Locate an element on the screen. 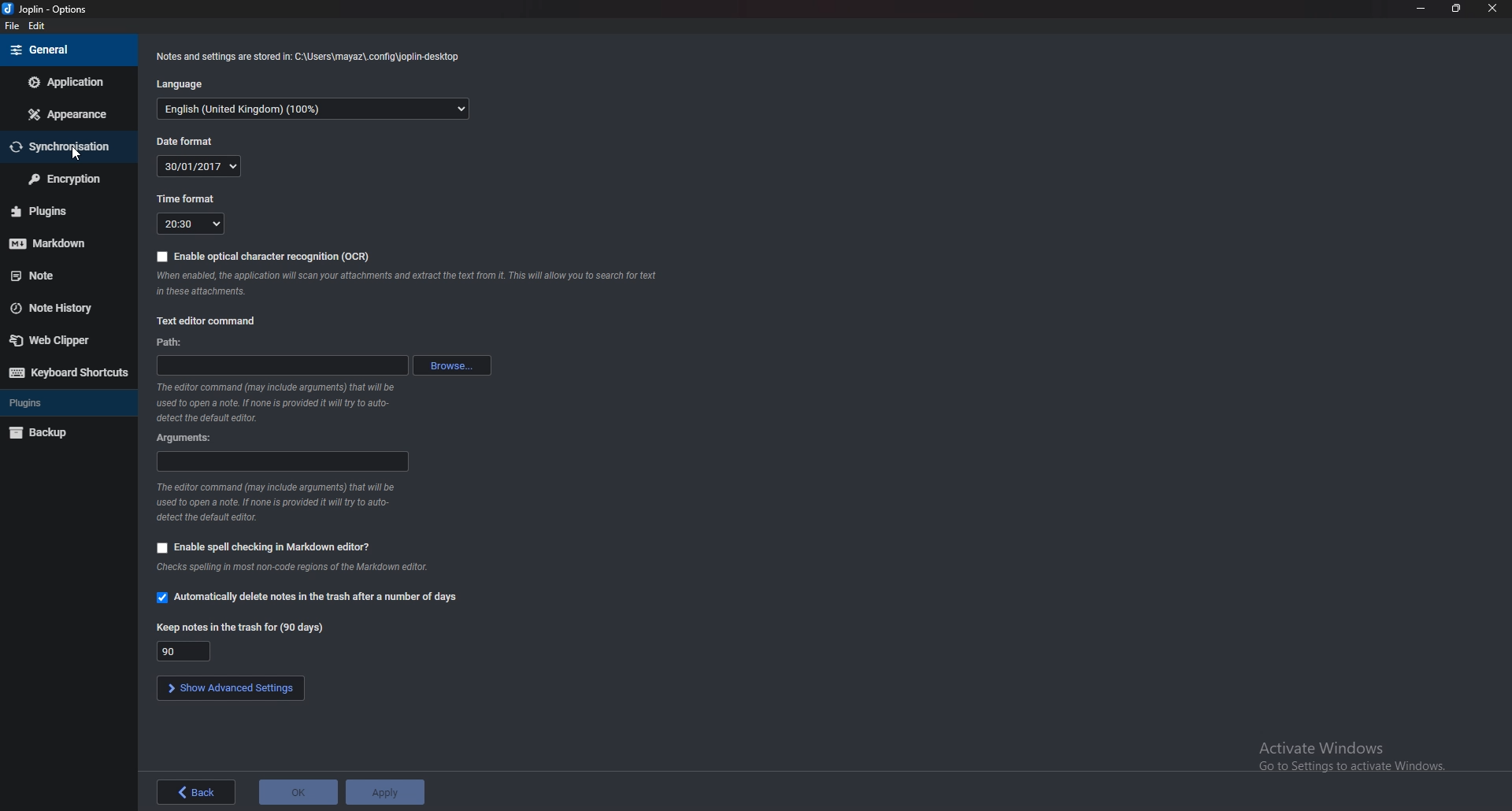 The height and width of the screenshot is (811, 1512). appearance is located at coordinates (70, 113).